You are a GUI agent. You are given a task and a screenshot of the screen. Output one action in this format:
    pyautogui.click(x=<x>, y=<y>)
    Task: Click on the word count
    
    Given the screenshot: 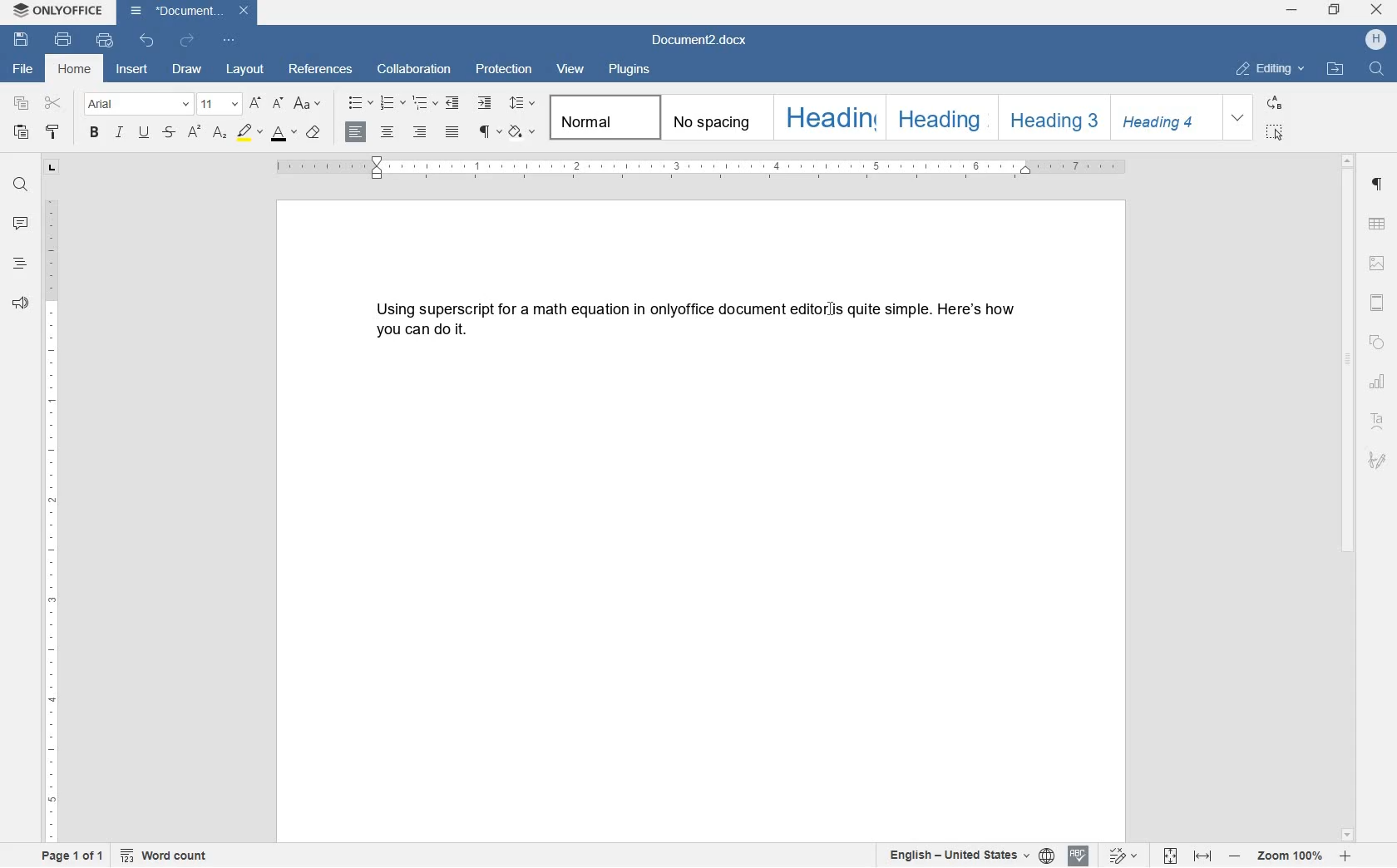 What is the action you would take?
    pyautogui.click(x=168, y=856)
    